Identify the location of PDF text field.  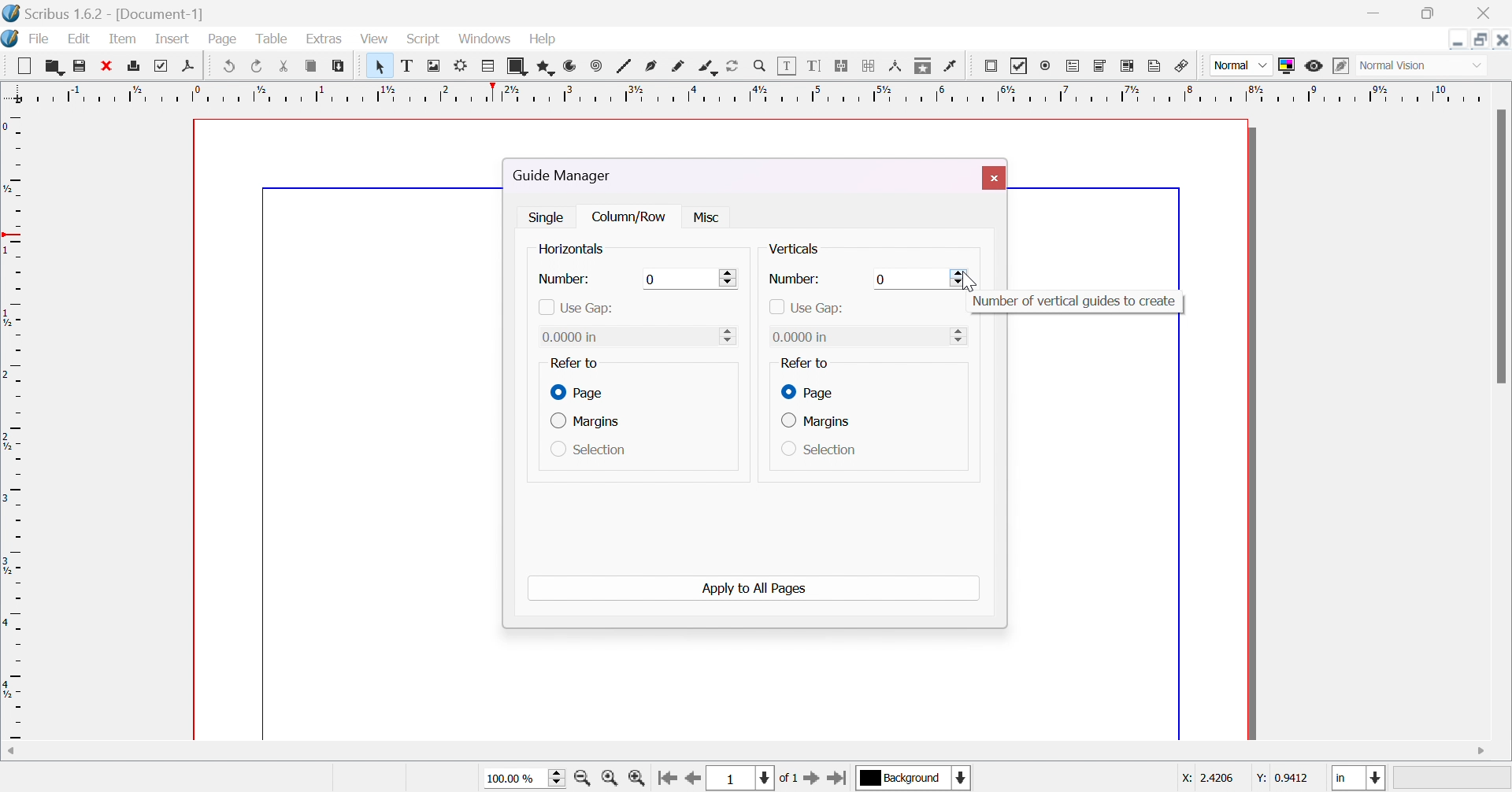
(1075, 67).